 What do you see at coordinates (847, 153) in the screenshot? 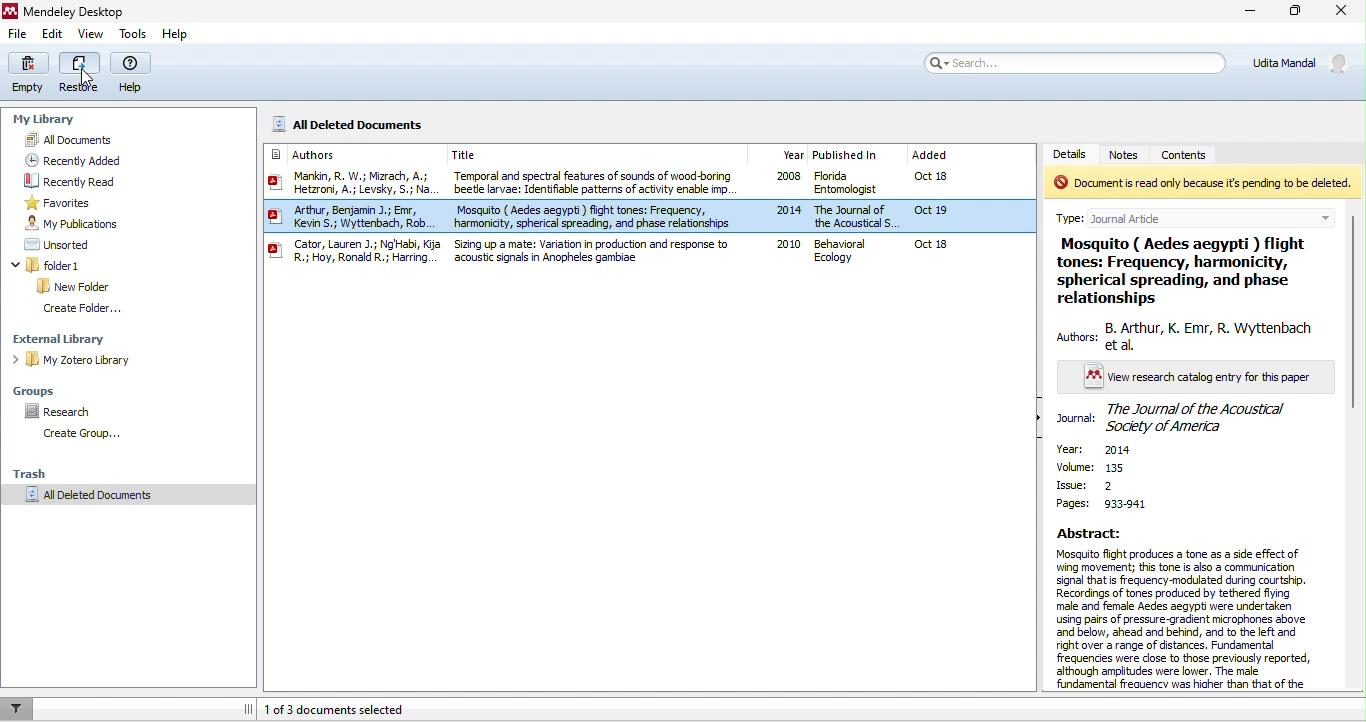
I see `published in` at bounding box center [847, 153].